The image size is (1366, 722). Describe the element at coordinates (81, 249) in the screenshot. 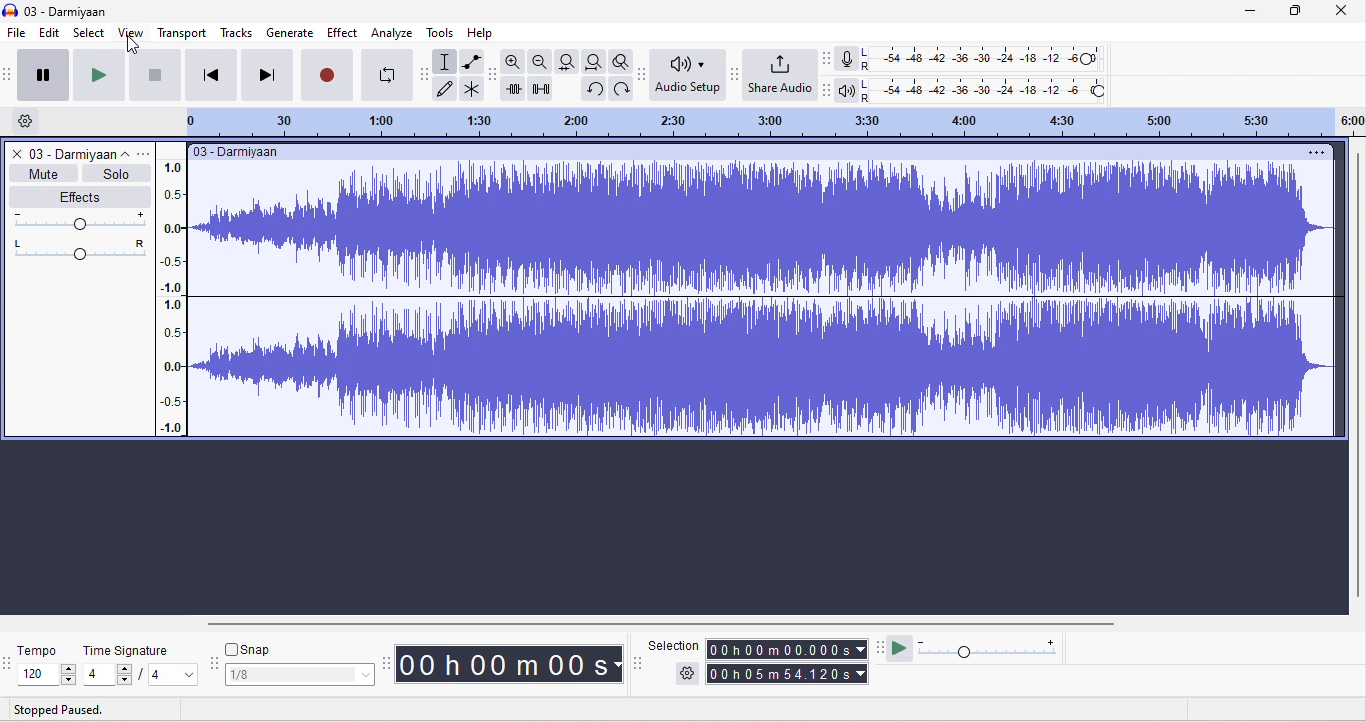

I see `pan` at that location.